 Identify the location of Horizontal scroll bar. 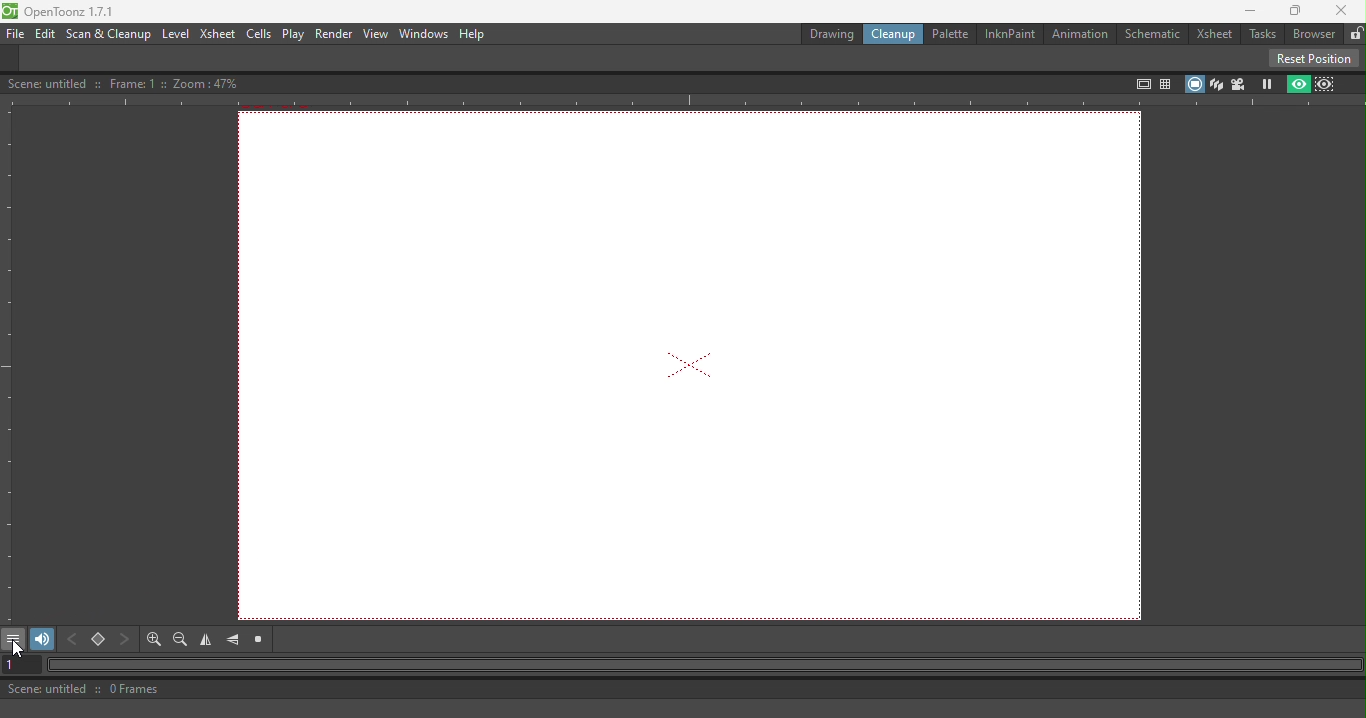
(702, 666).